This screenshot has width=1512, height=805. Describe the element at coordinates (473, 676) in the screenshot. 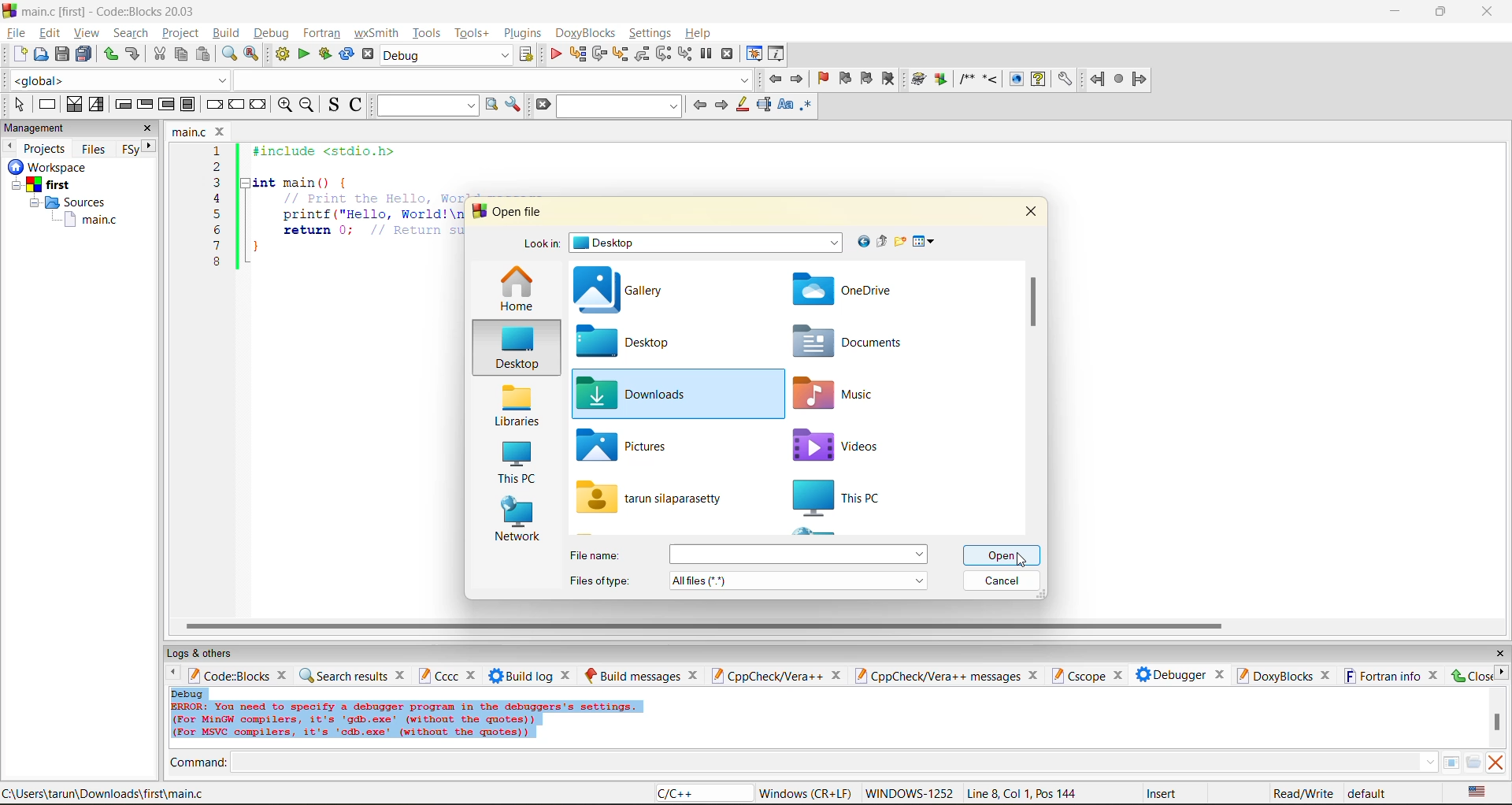

I see `close` at that location.